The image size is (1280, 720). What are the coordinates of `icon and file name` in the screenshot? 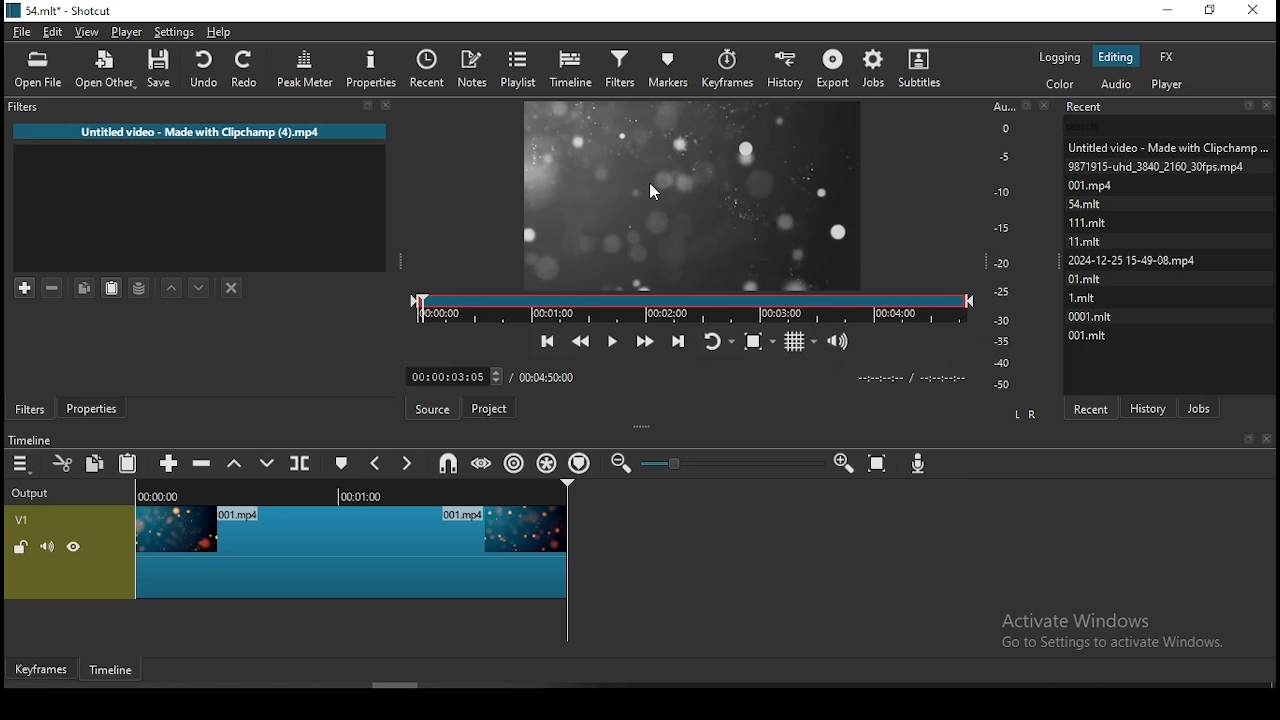 It's located at (63, 11).